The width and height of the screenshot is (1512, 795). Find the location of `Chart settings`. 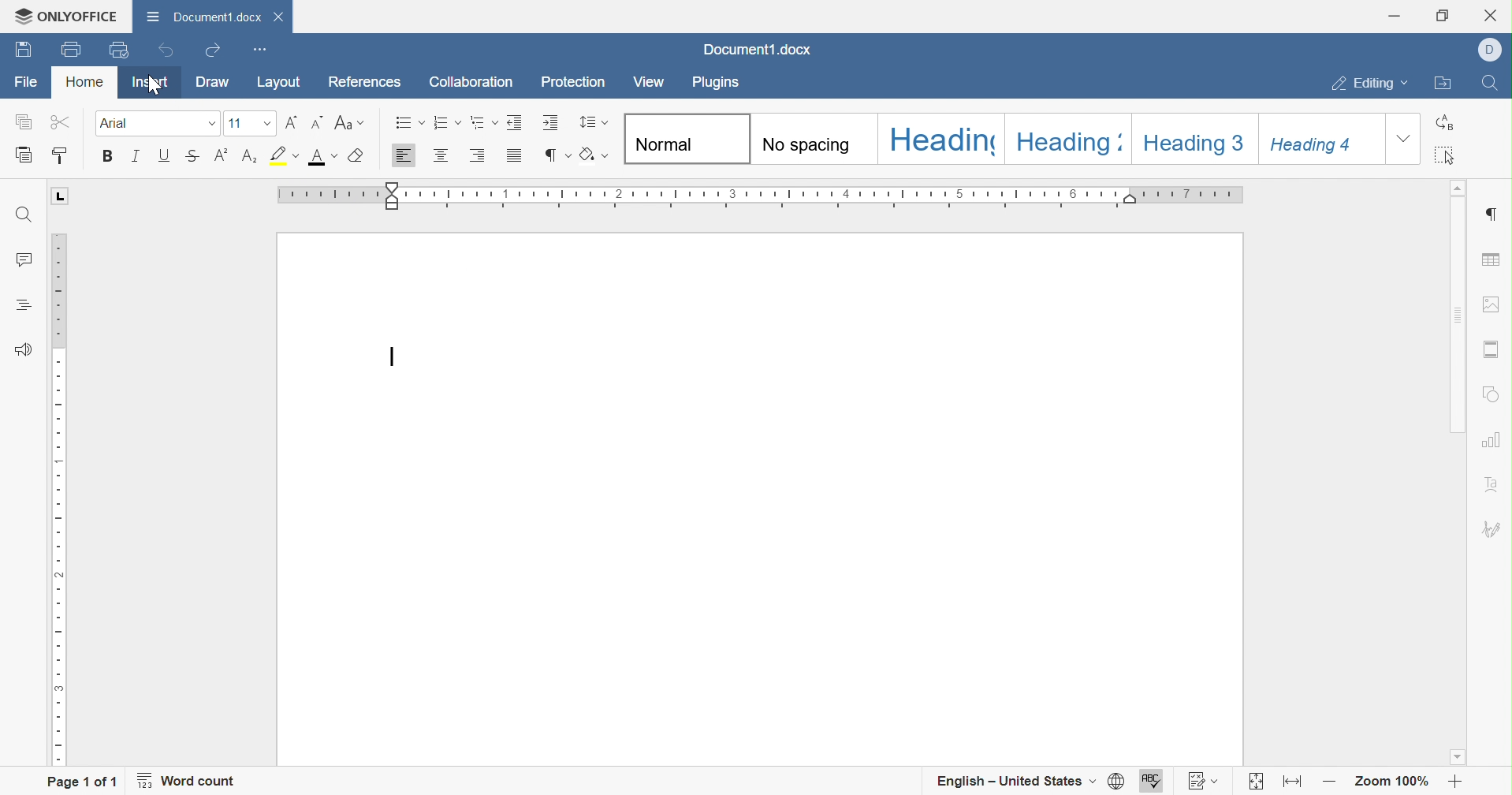

Chart settings is located at coordinates (1490, 439).